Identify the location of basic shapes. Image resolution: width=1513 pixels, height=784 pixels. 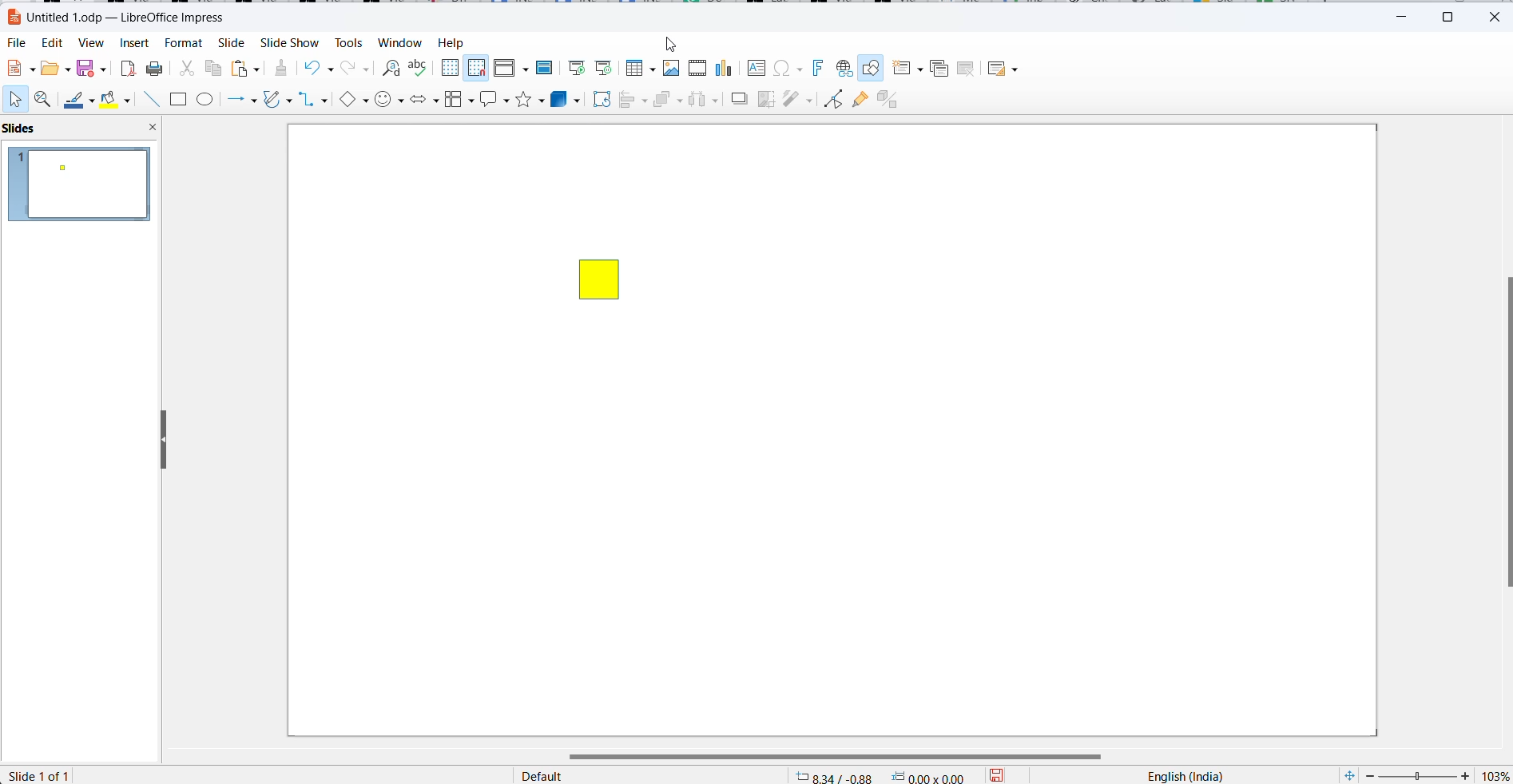
(352, 101).